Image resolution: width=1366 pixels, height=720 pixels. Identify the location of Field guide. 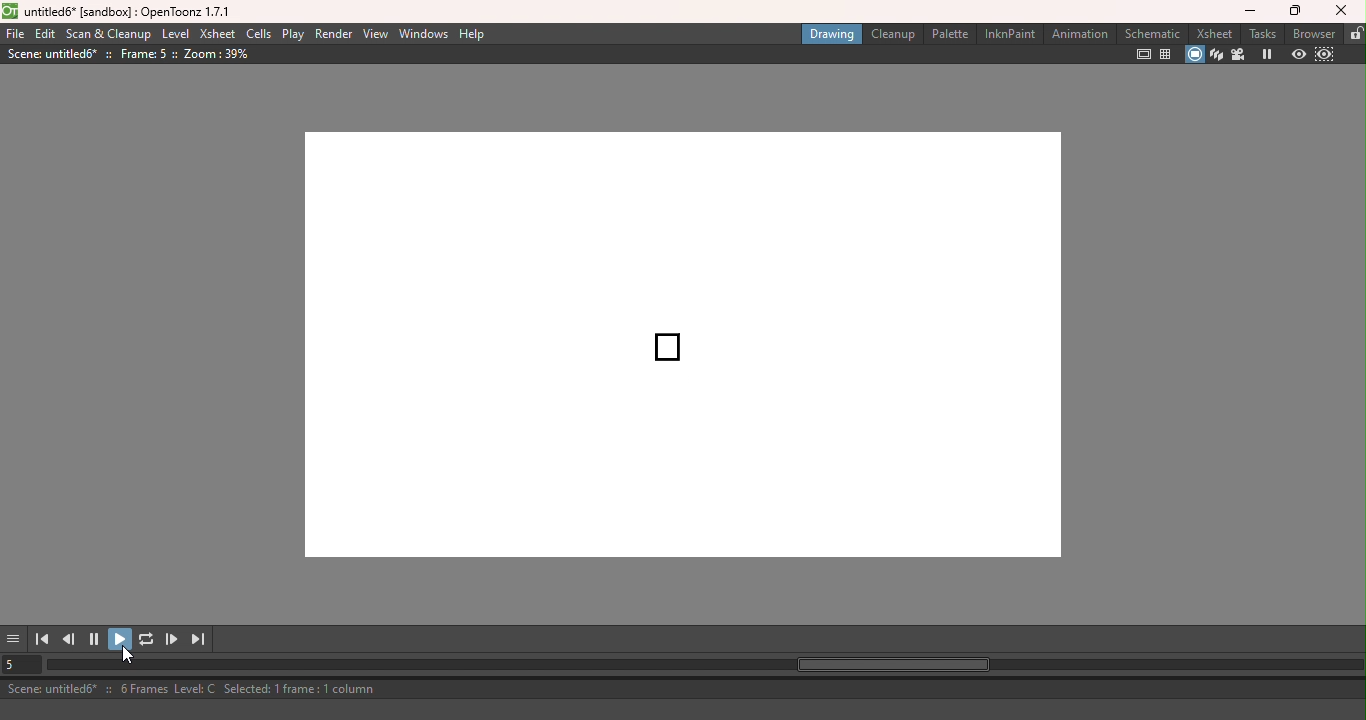
(1168, 54).